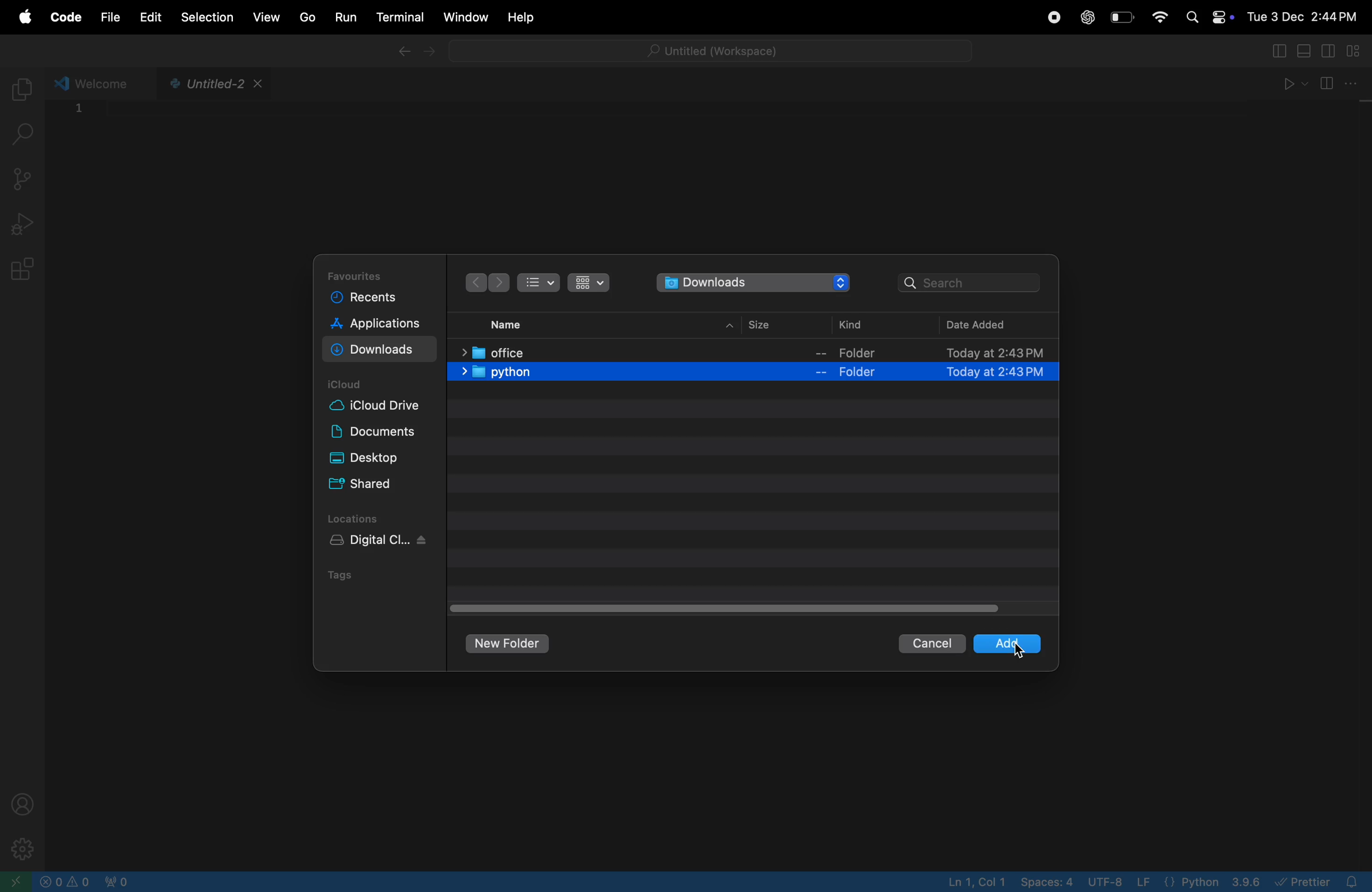  Describe the element at coordinates (378, 433) in the screenshot. I see `documents` at that location.